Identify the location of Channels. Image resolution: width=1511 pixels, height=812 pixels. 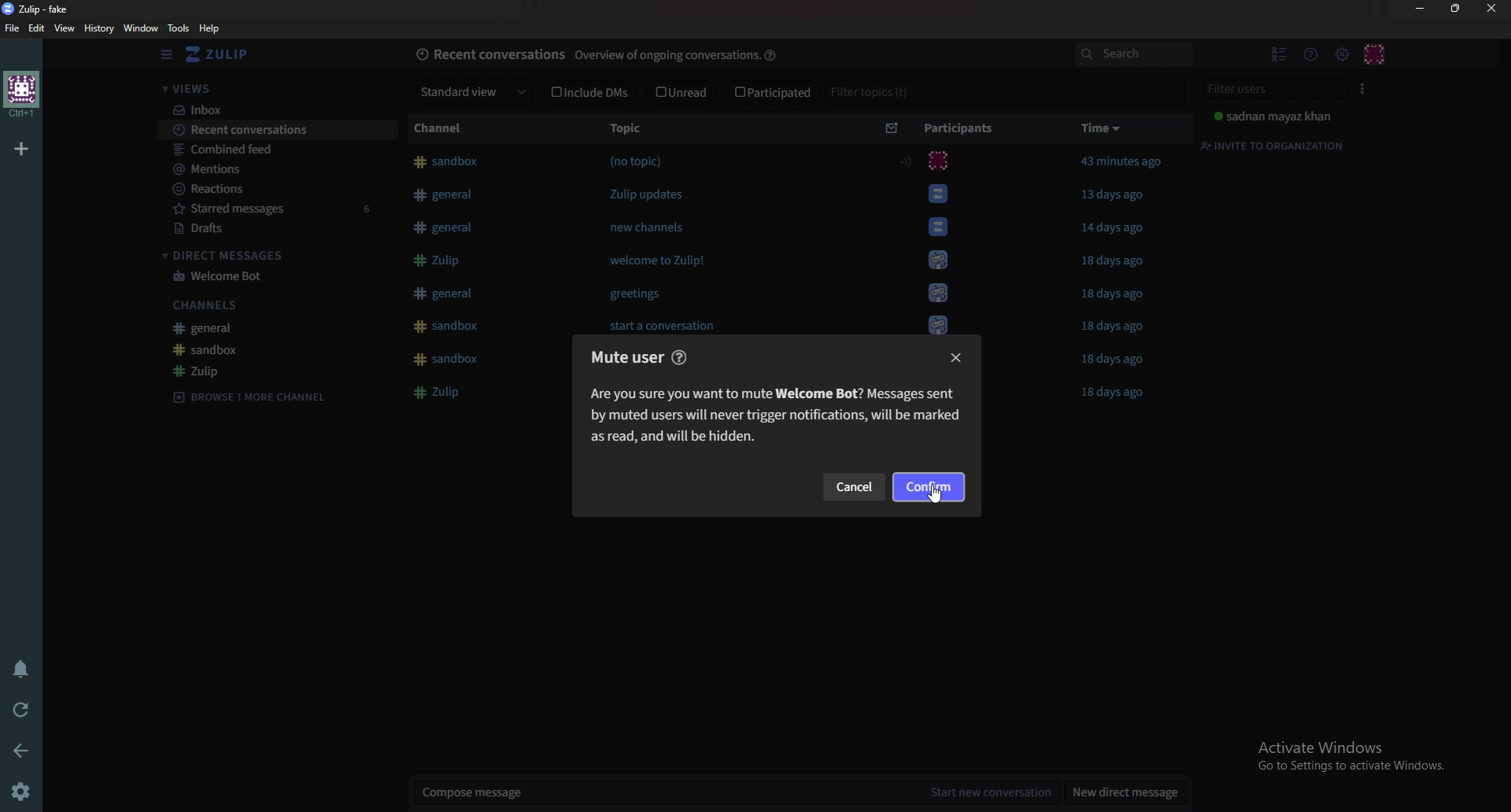
(279, 304).